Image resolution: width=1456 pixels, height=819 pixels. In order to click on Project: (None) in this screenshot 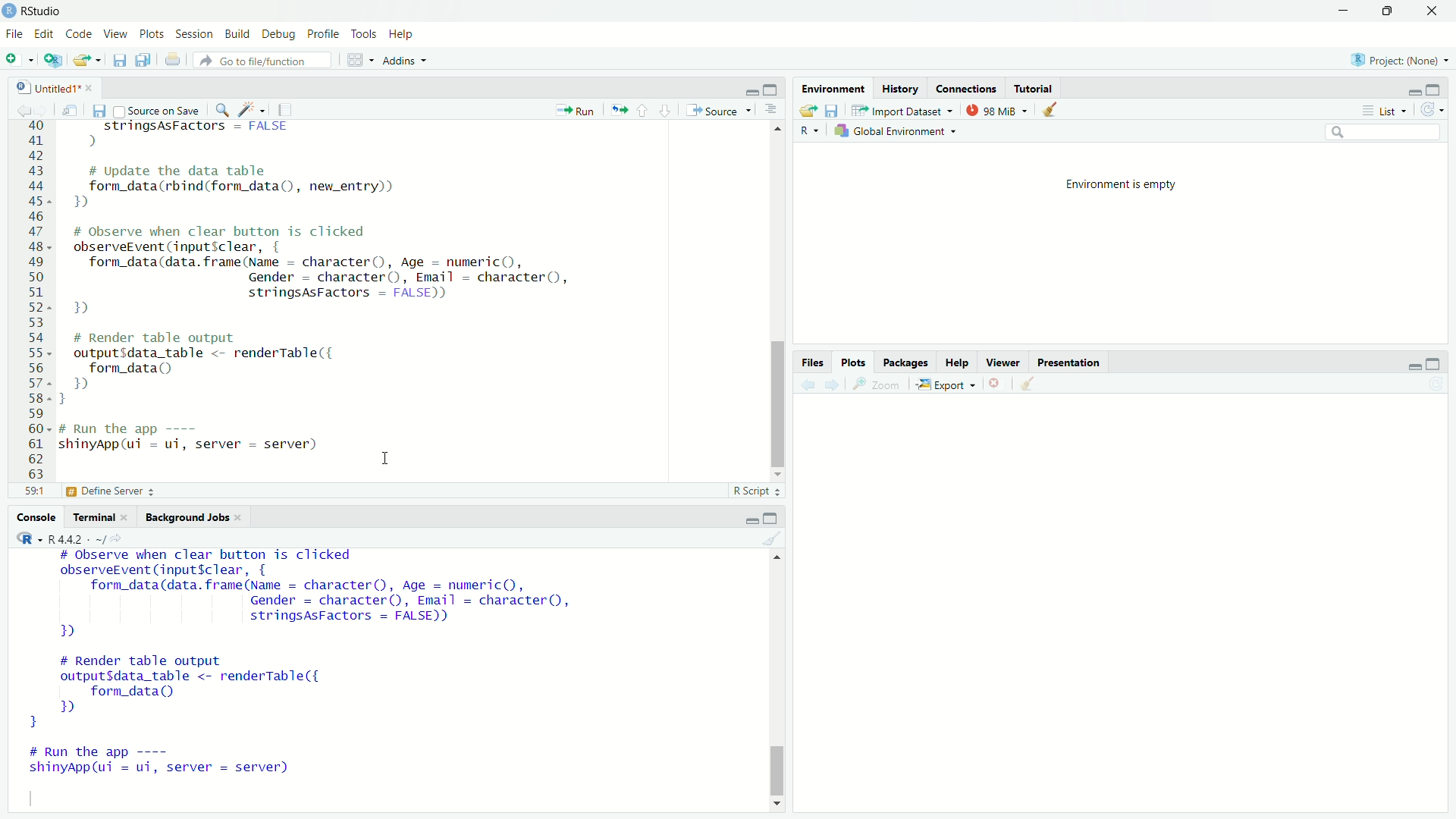, I will do `click(1401, 60)`.